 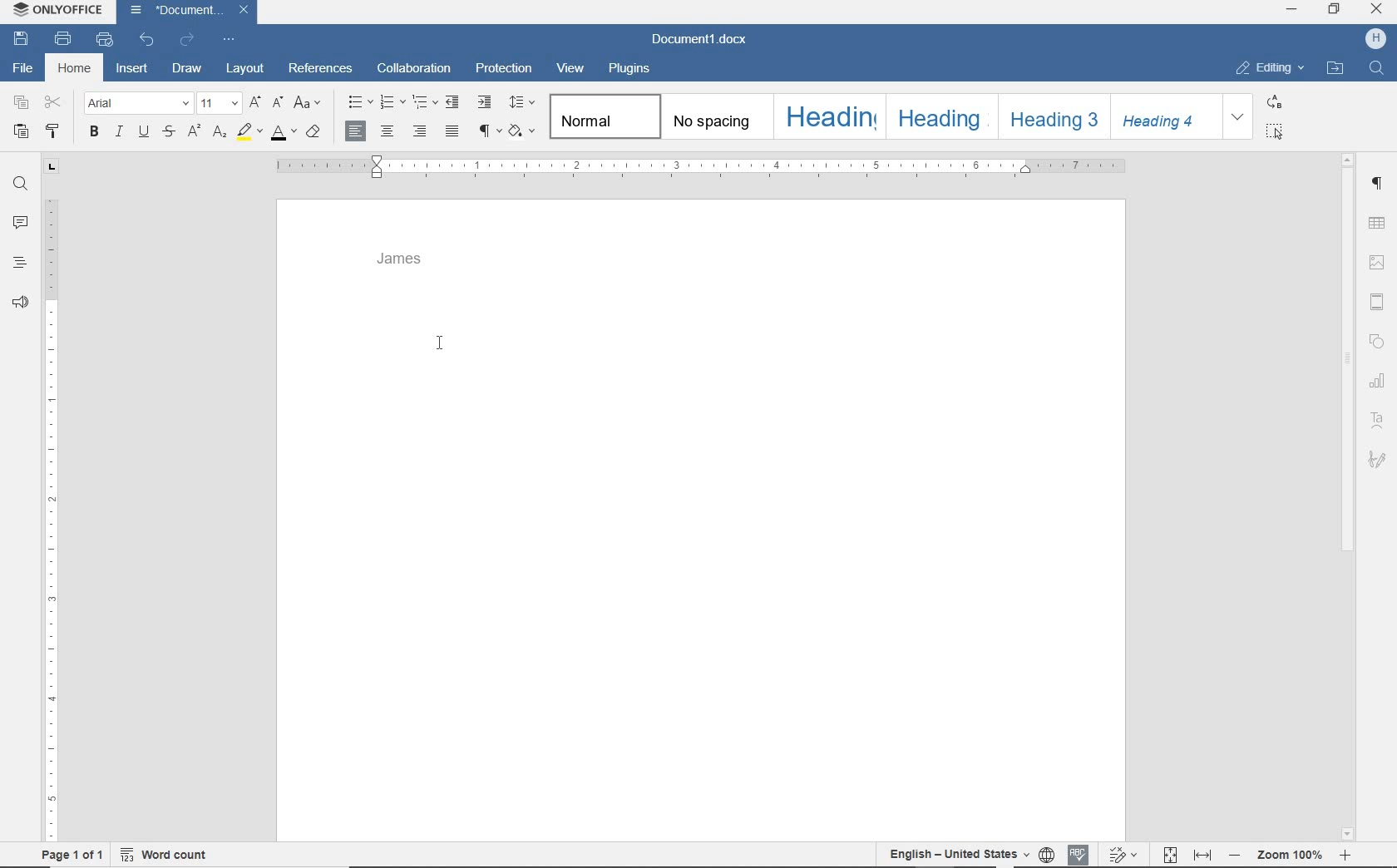 I want to click on increase indent, so click(x=485, y=101).